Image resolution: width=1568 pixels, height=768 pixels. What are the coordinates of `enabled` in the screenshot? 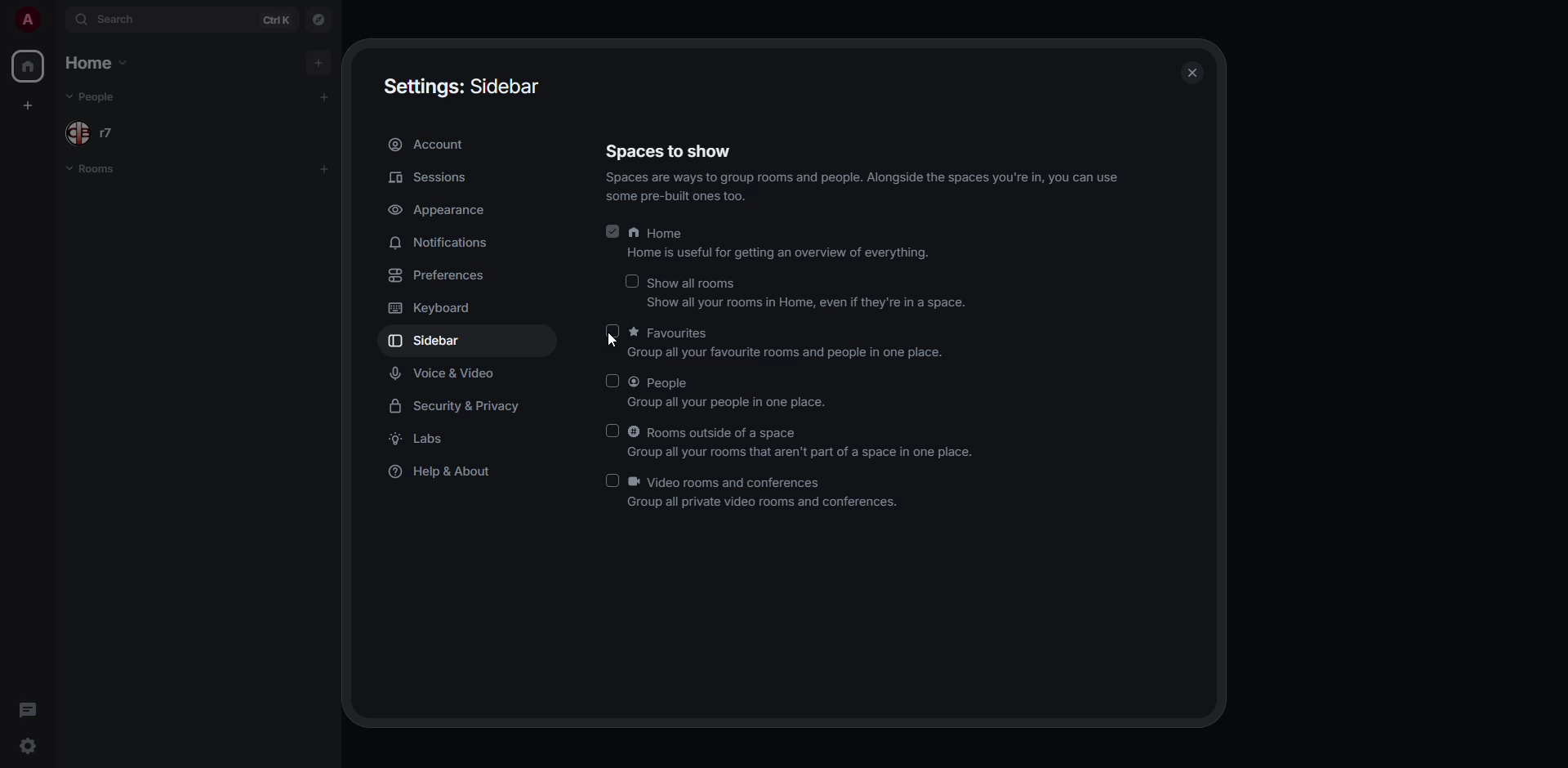 It's located at (613, 231).